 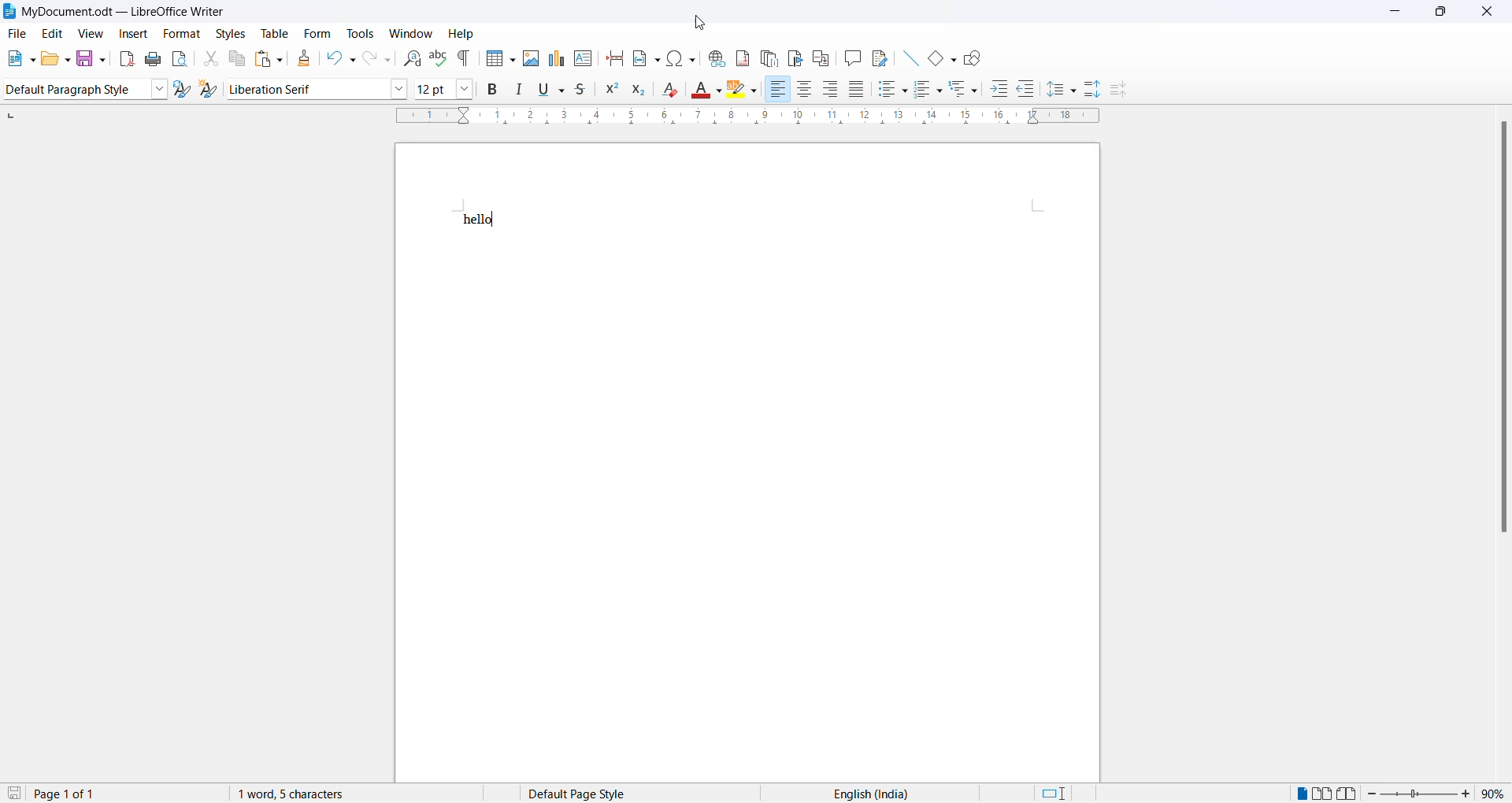 I want to click on Export as PDF, so click(x=122, y=61).